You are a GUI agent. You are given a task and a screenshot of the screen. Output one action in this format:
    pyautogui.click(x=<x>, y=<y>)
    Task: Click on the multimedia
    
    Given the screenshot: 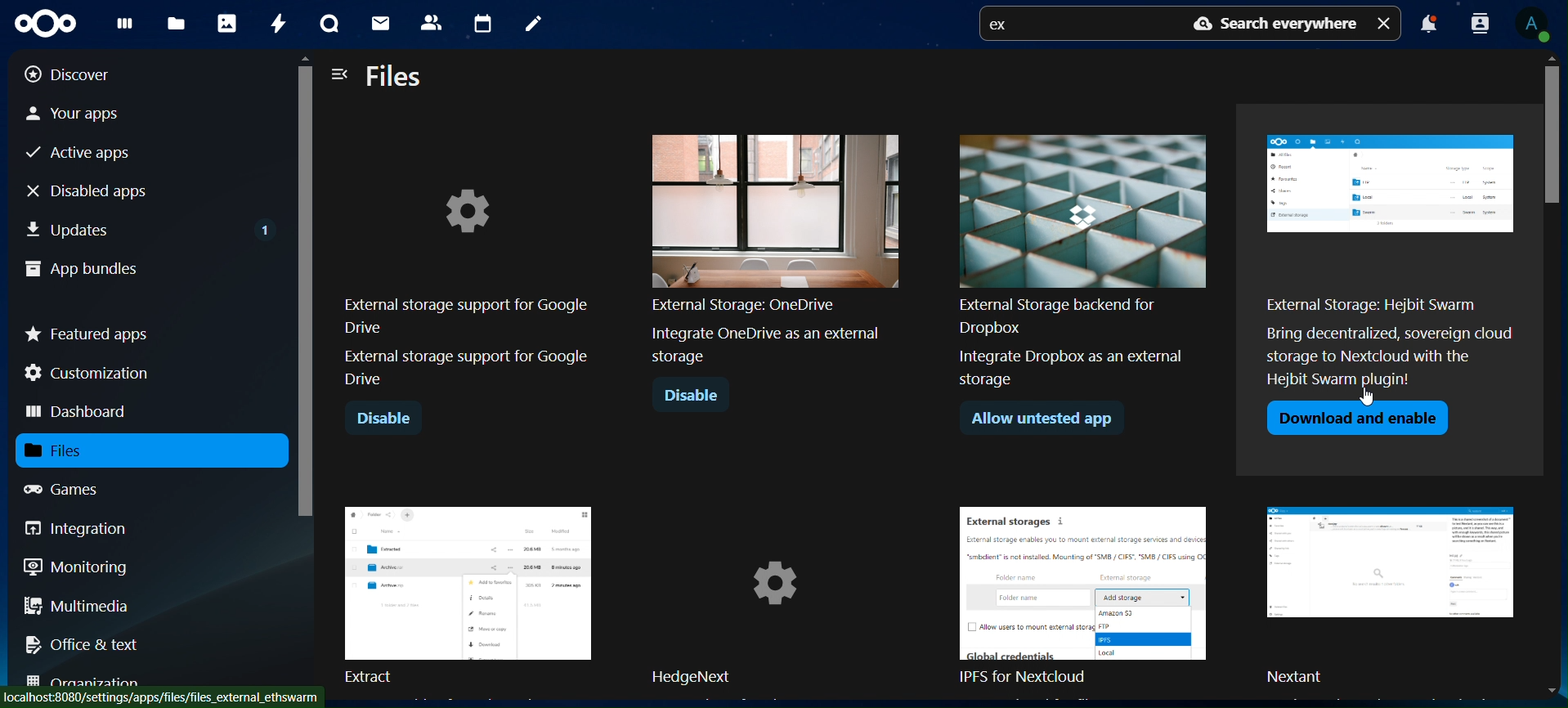 What is the action you would take?
    pyautogui.click(x=78, y=608)
    